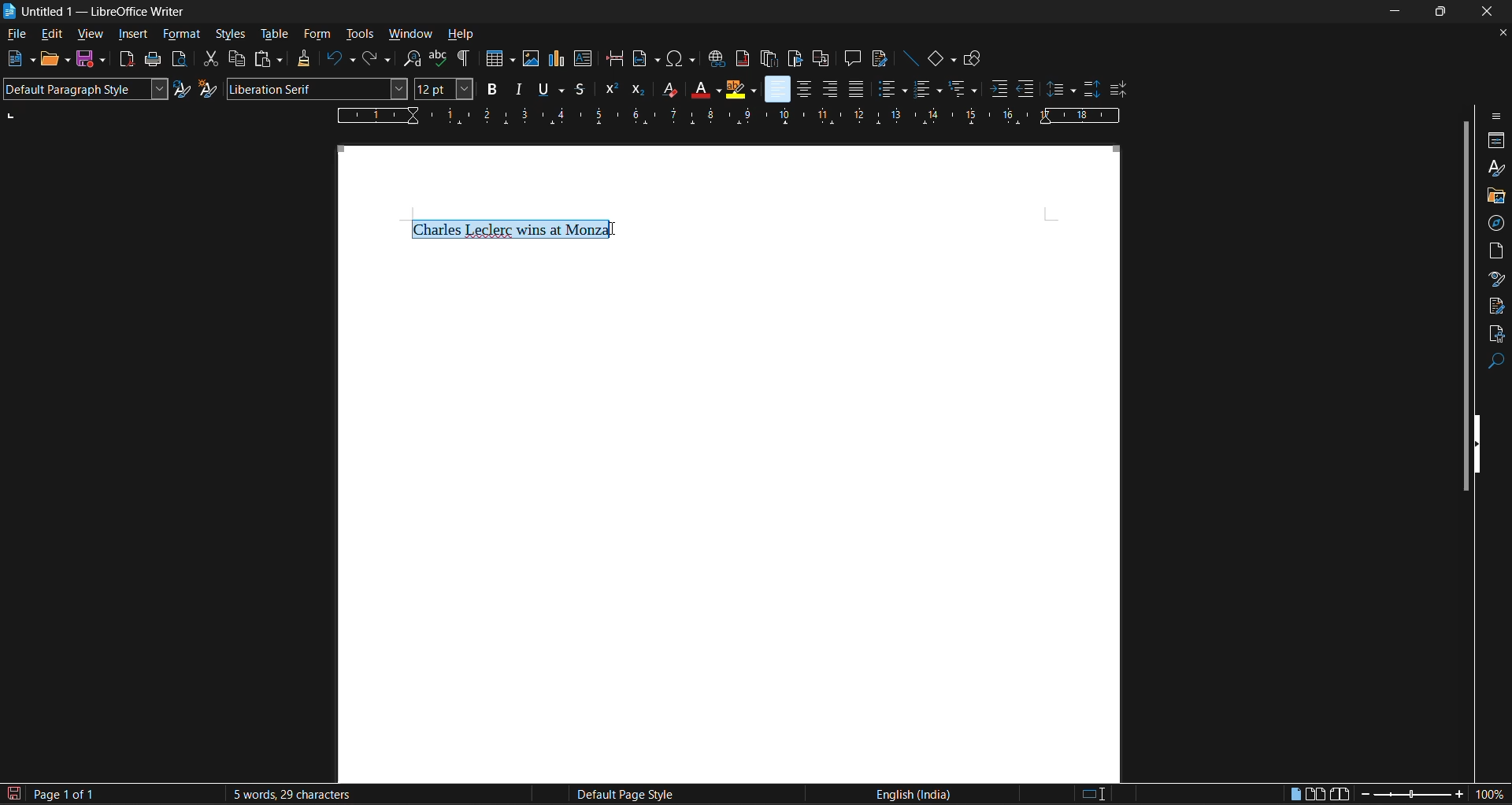  What do you see at coordinates (443, 88) in the screenshot?
I see `font size` at bounding box center [443, 88].